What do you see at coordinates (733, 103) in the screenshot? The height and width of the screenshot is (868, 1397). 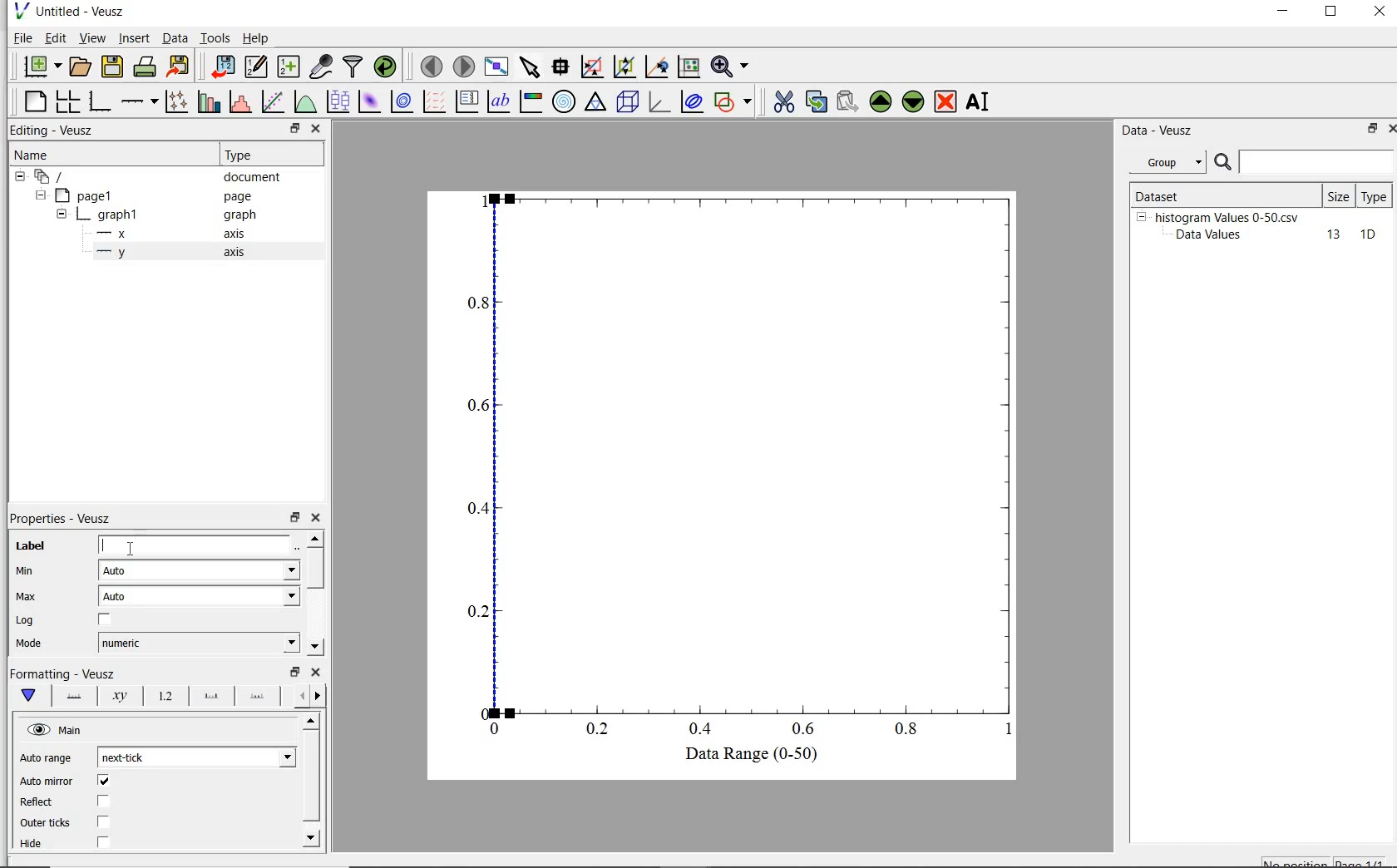 I see `add shape` at bounding box center [733, 103].